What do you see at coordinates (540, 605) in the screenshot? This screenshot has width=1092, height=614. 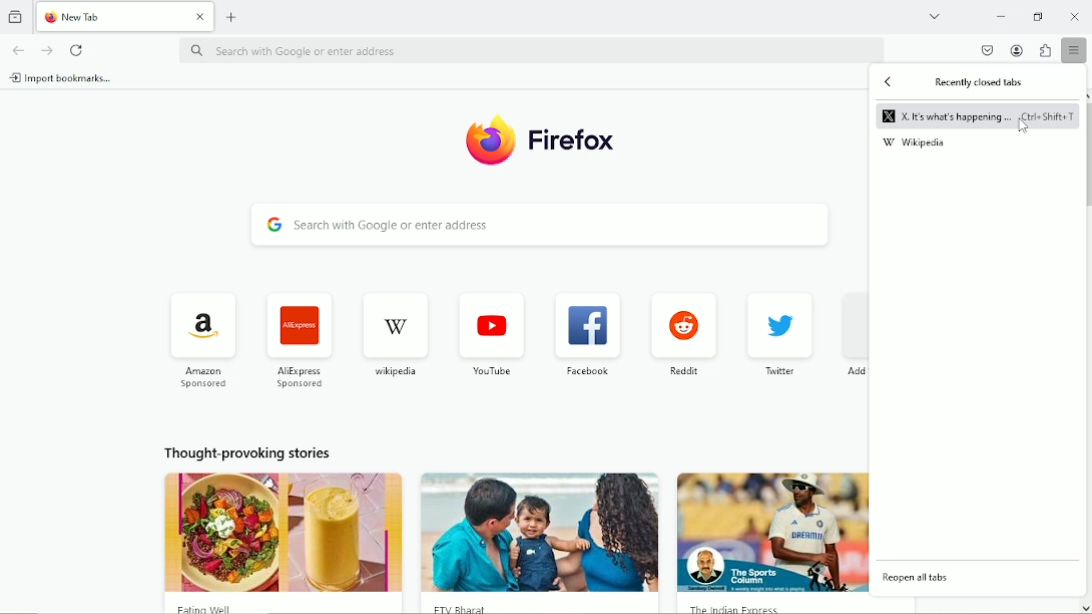 I see `FTV Bharat` at bounding box center [540, 605].